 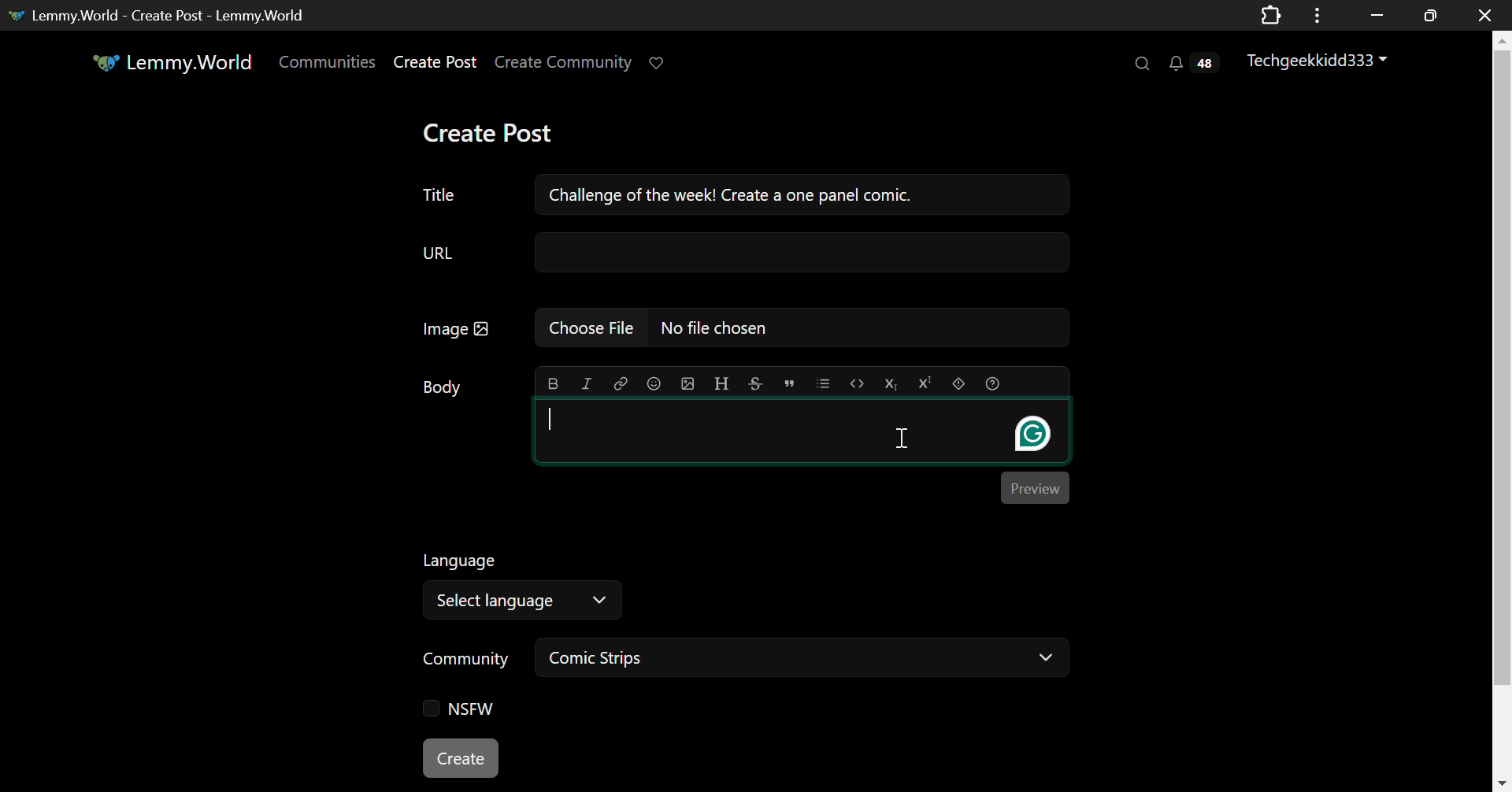 I want to click on Create Post, so click(x=436, y=65).